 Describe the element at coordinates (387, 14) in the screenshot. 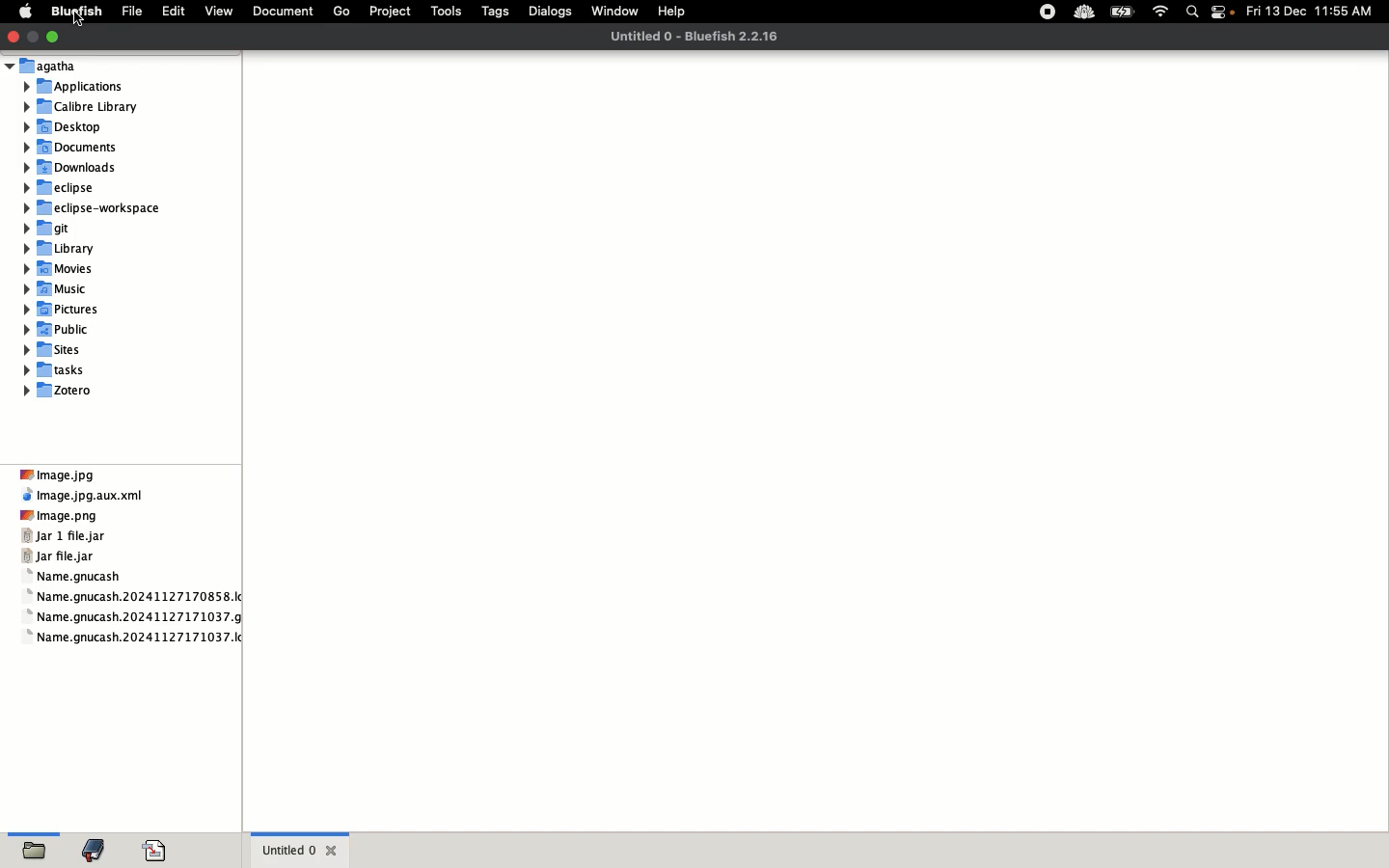

I see `project` at that location.